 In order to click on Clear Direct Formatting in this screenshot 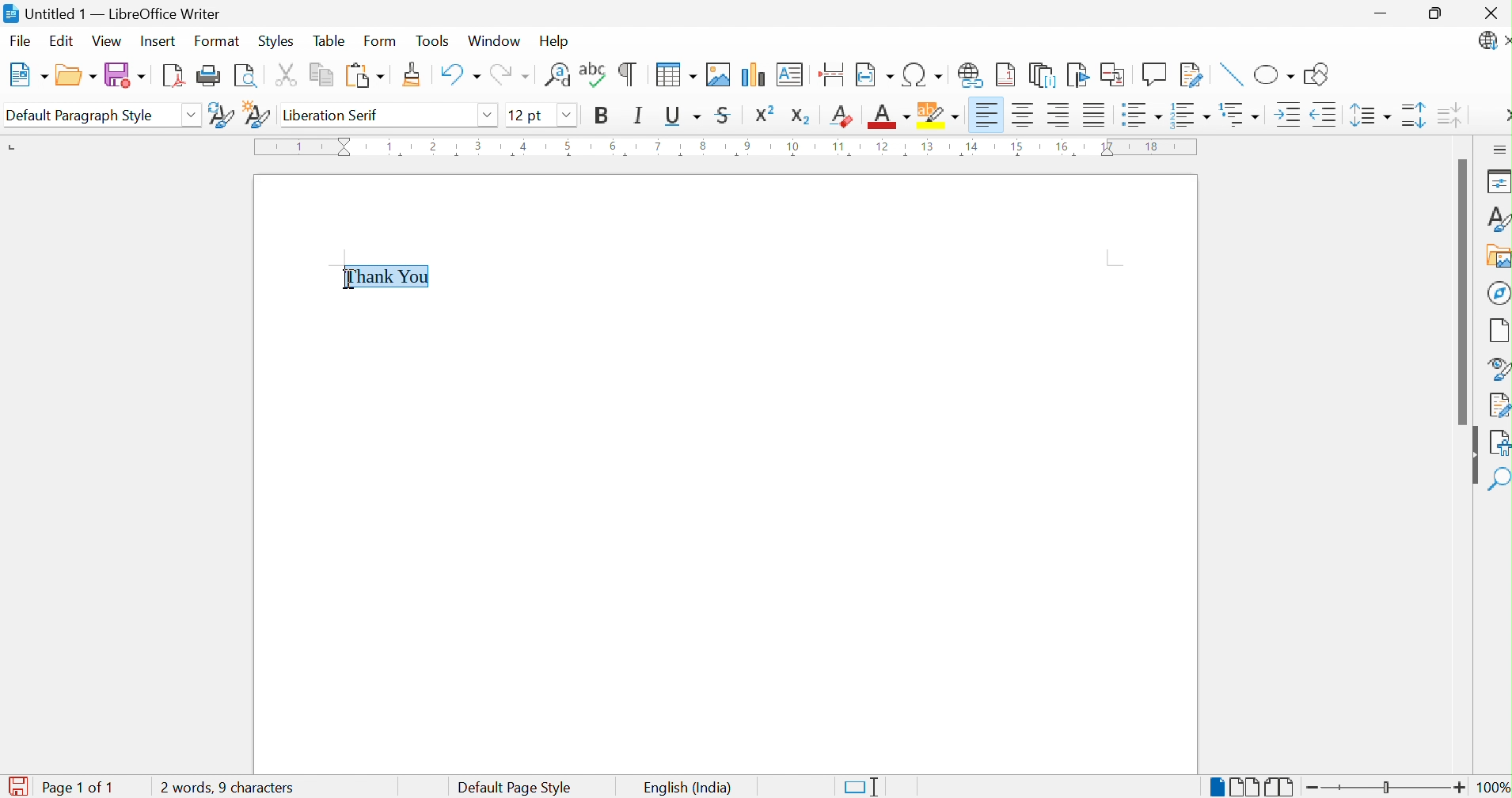, I will do `click(843, 117)`.